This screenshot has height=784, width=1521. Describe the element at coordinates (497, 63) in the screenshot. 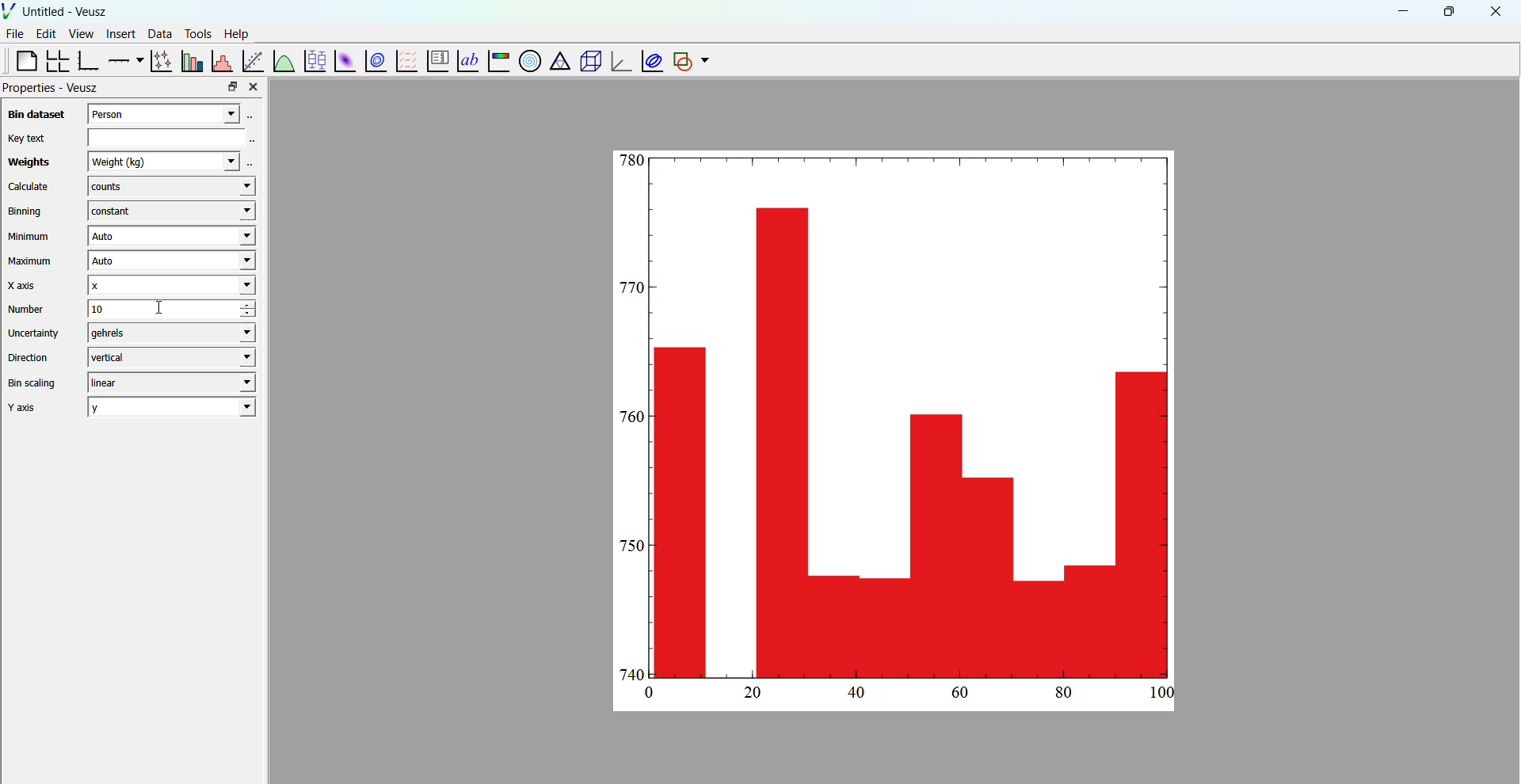

I see `image color graph` at that location.